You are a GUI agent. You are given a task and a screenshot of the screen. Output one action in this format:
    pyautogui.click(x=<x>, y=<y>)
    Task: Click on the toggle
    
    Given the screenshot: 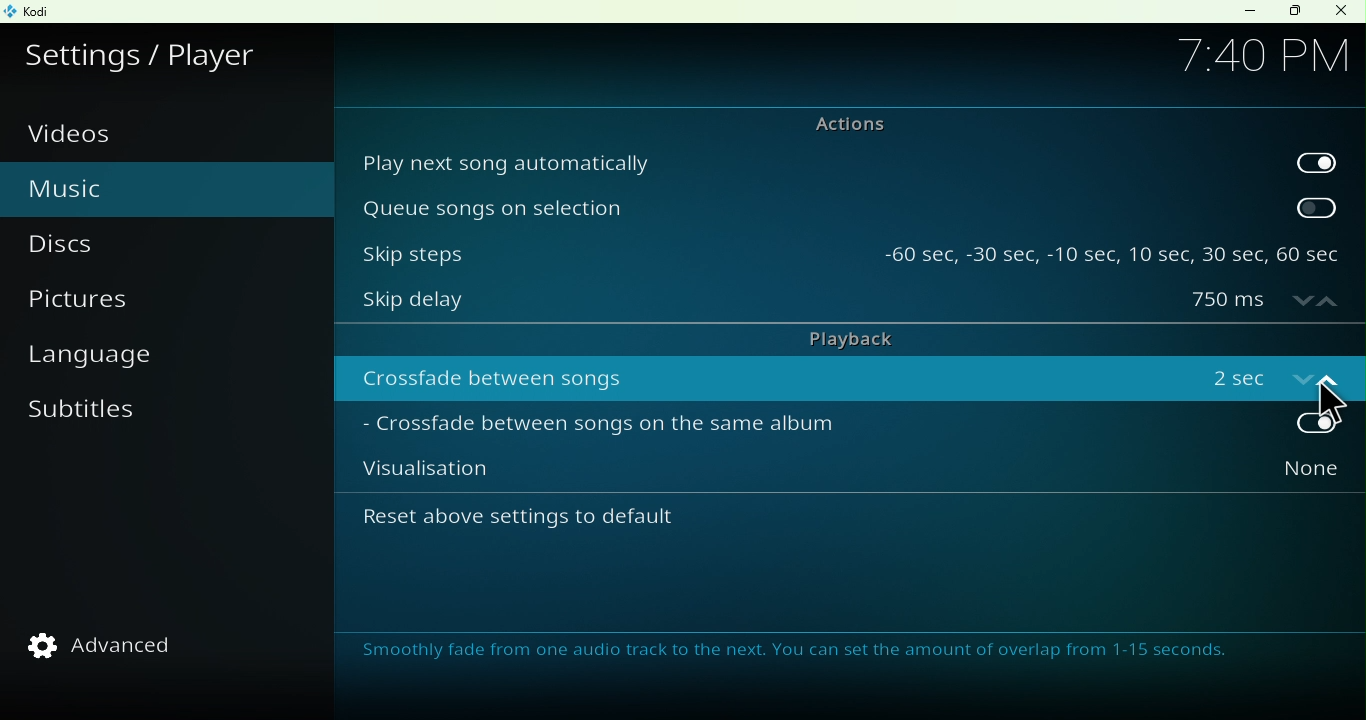 What is the action you would take?
    pyautogui.click(x=1269, y=425)
    